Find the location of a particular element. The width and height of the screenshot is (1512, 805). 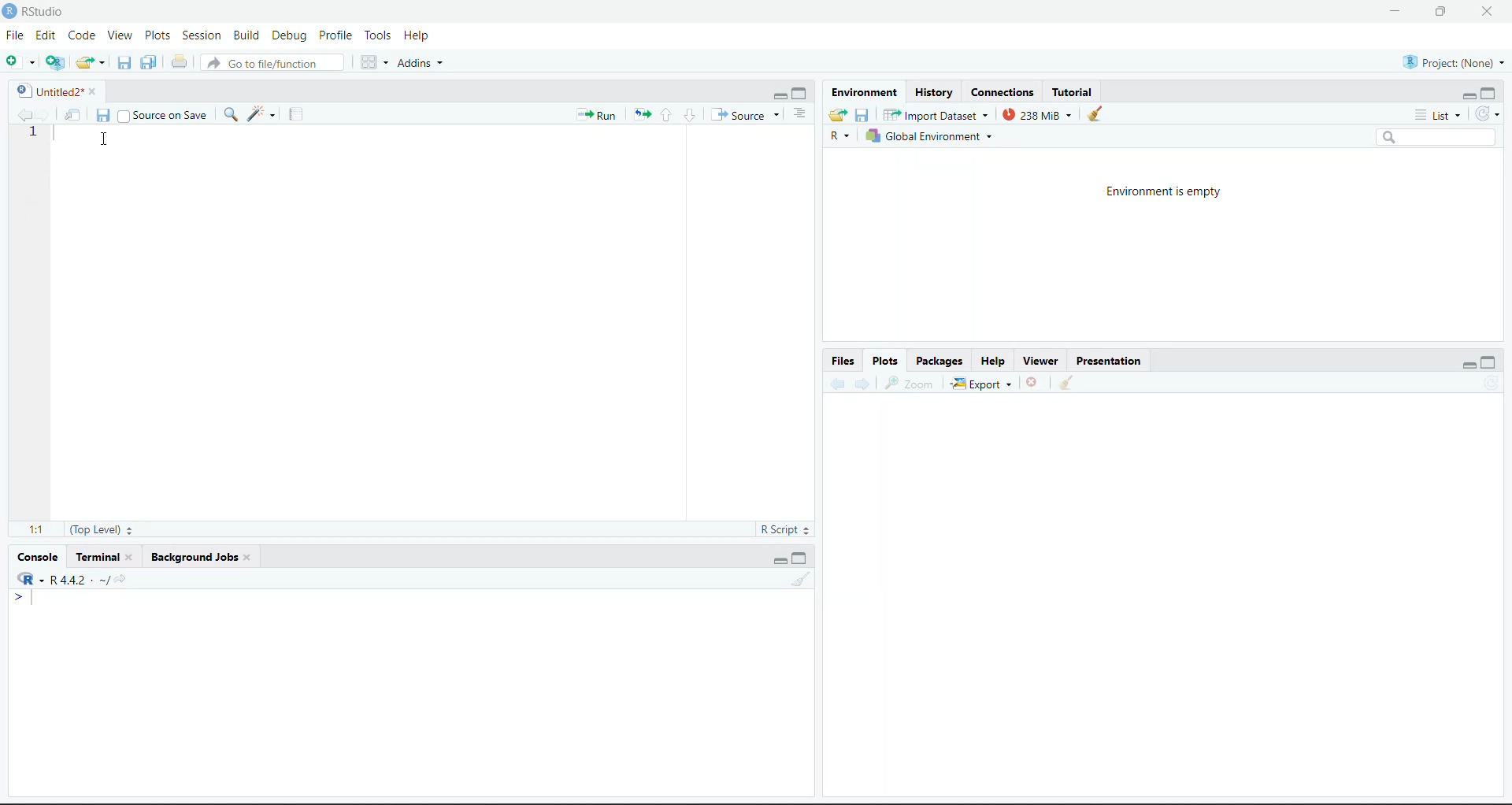

RStudio is located at coordinates (44, 12).